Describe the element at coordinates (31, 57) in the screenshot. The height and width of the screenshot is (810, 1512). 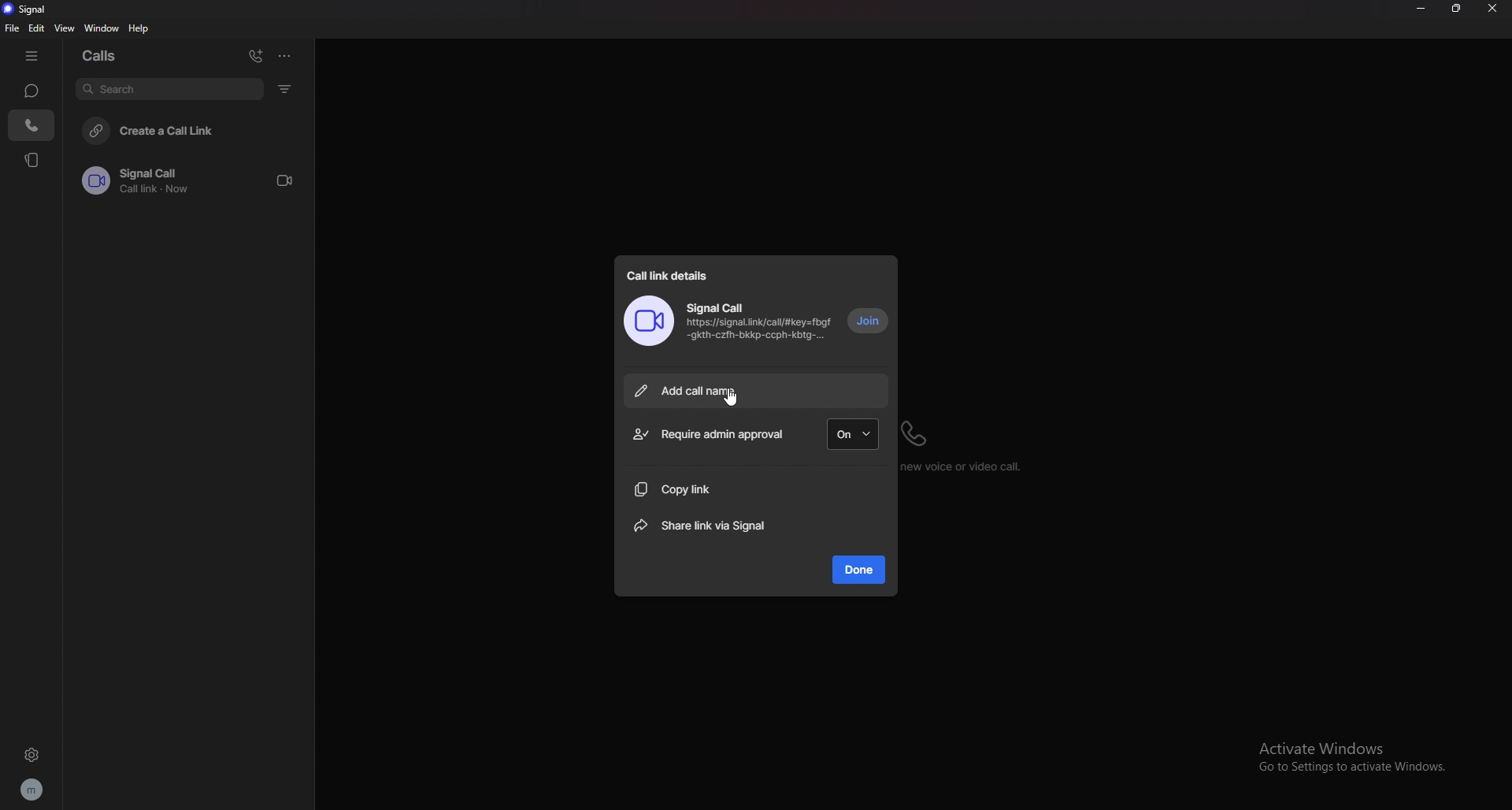
I see `hide tab` at that location.